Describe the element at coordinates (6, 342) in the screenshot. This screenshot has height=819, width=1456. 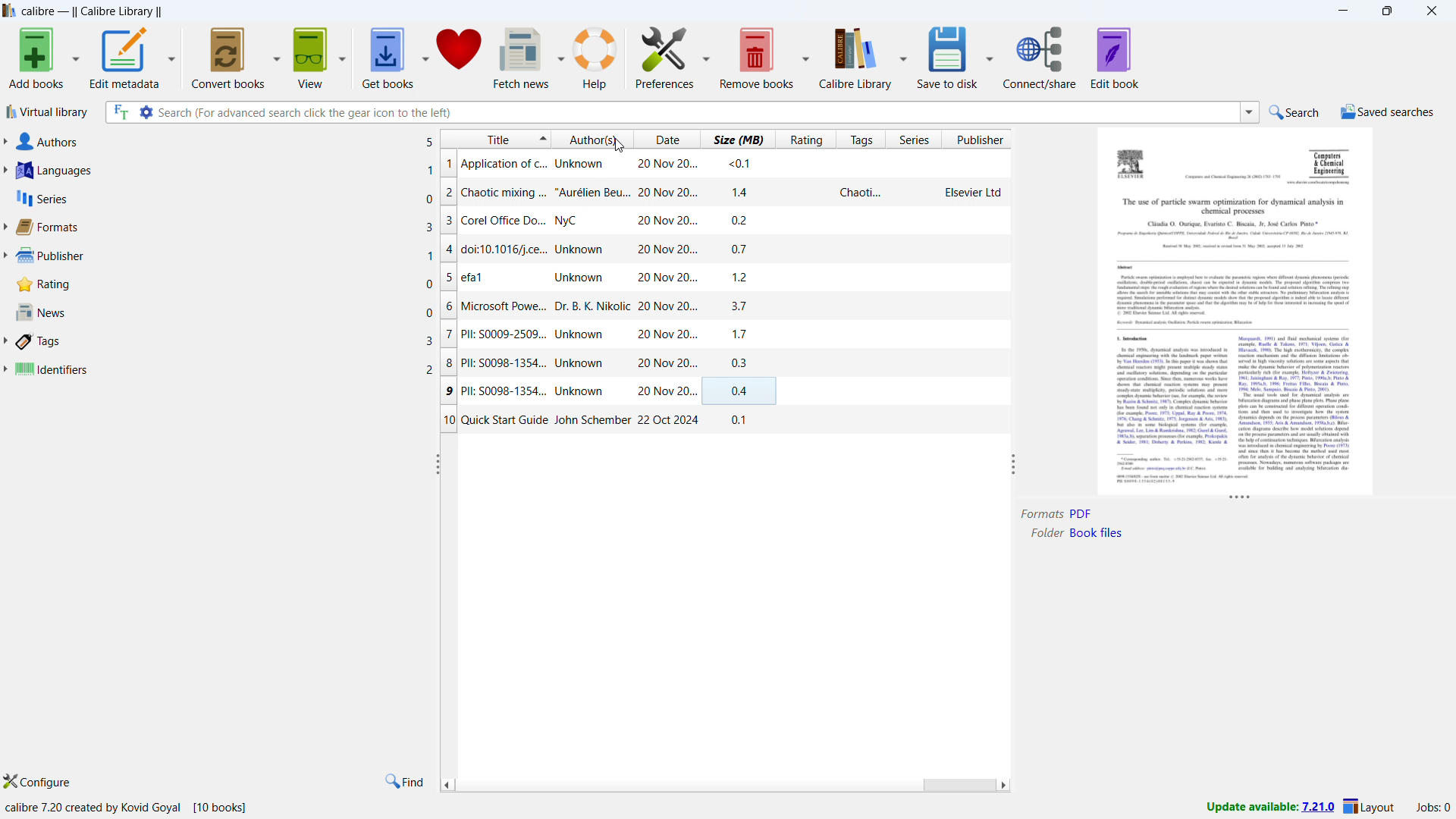
I see `expand tags` at that location.